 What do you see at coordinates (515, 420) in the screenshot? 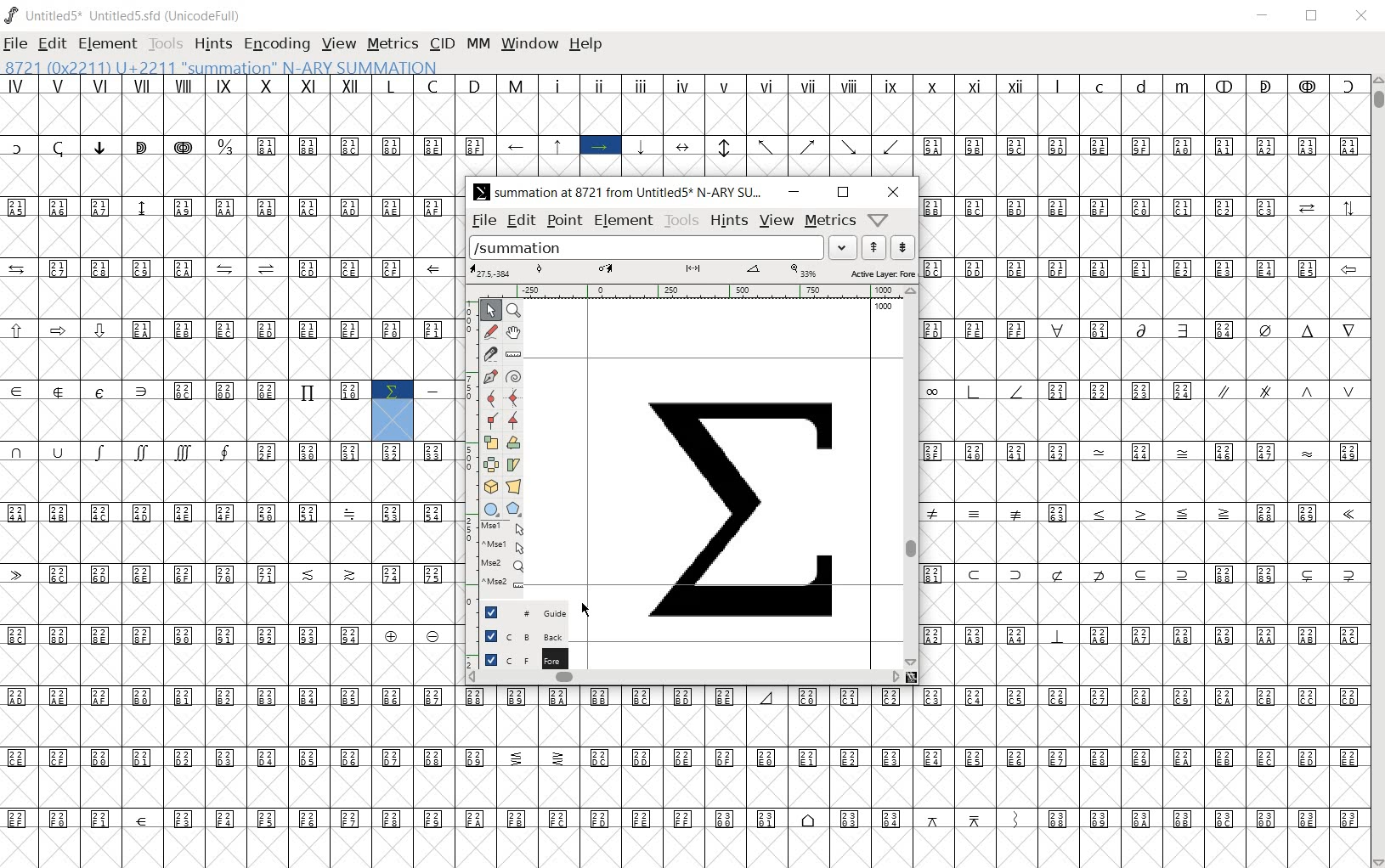
I see `Add a corner point` at bounding box center [515, 420].